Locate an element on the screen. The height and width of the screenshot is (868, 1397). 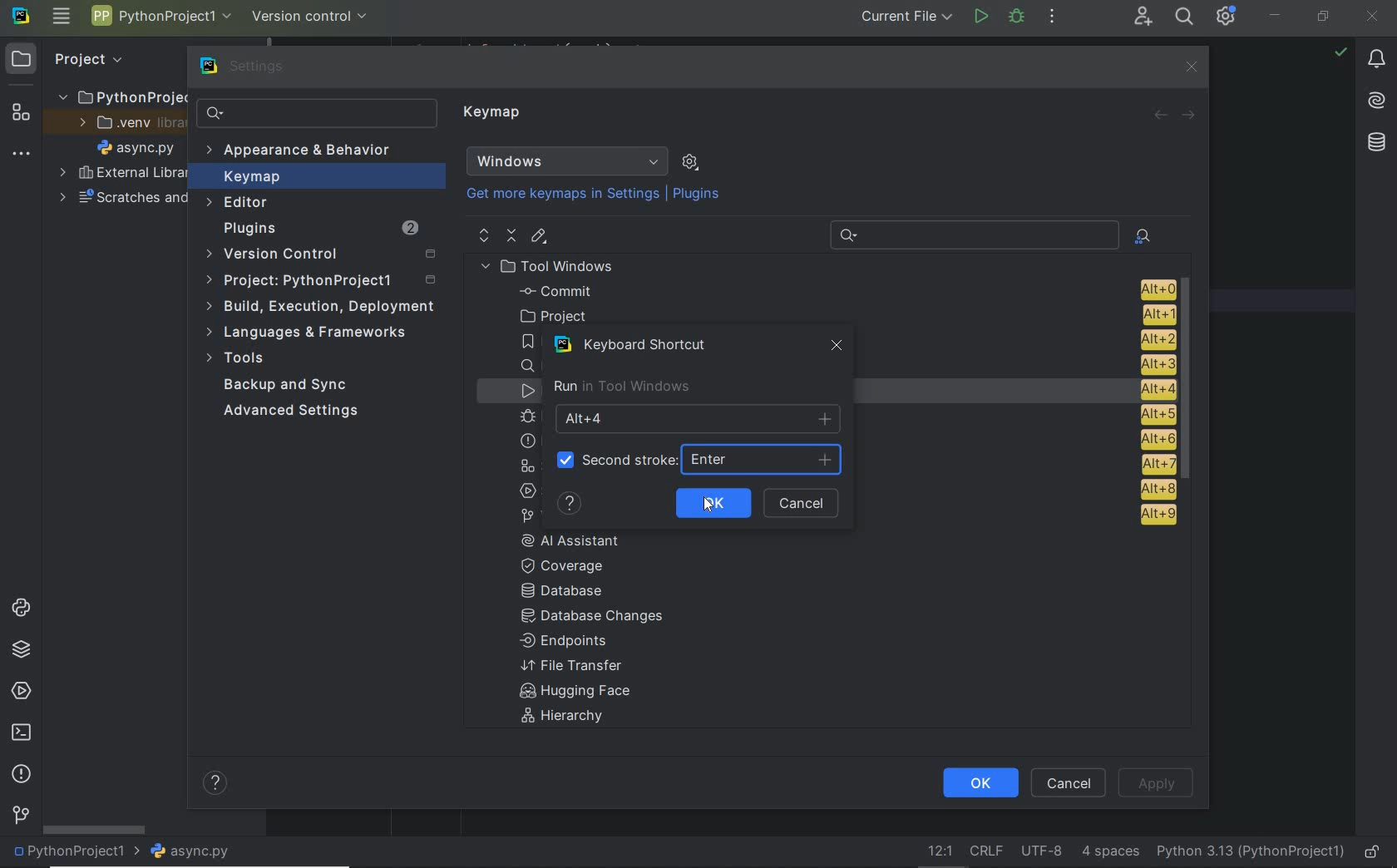
current file is located at coordinates (901, 18).